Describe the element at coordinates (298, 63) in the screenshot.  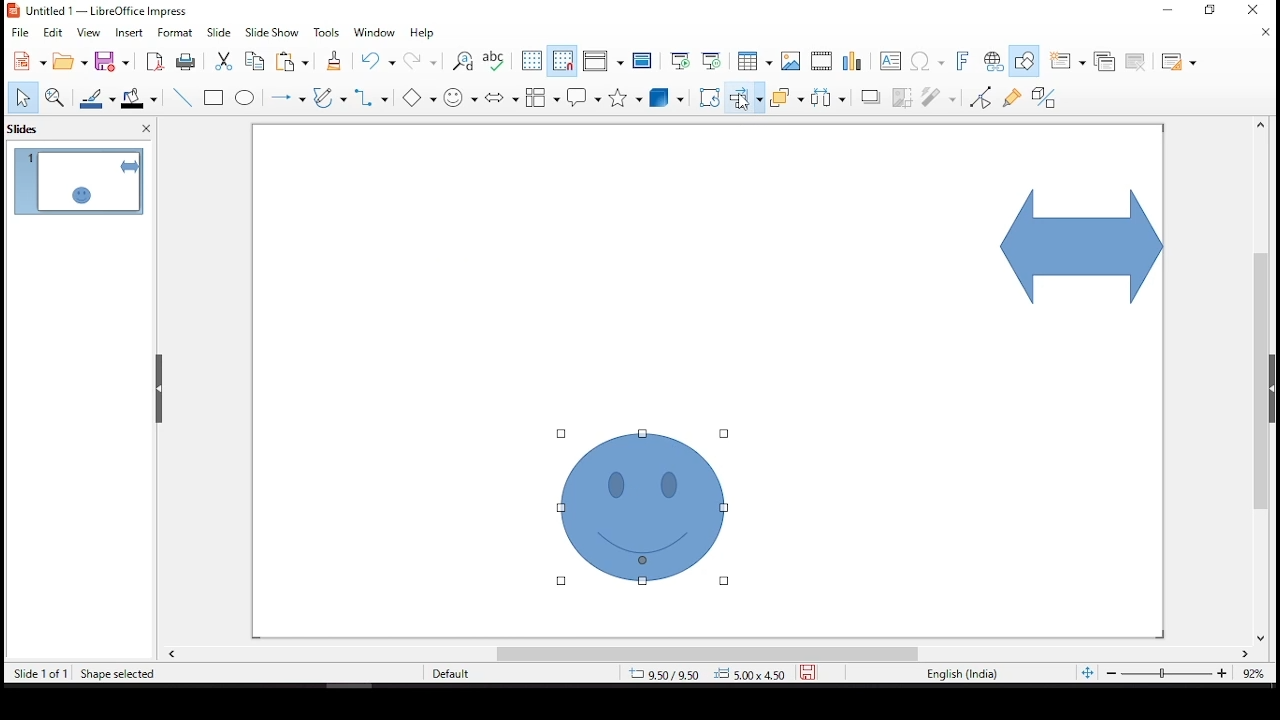
I see `paste` at that location.